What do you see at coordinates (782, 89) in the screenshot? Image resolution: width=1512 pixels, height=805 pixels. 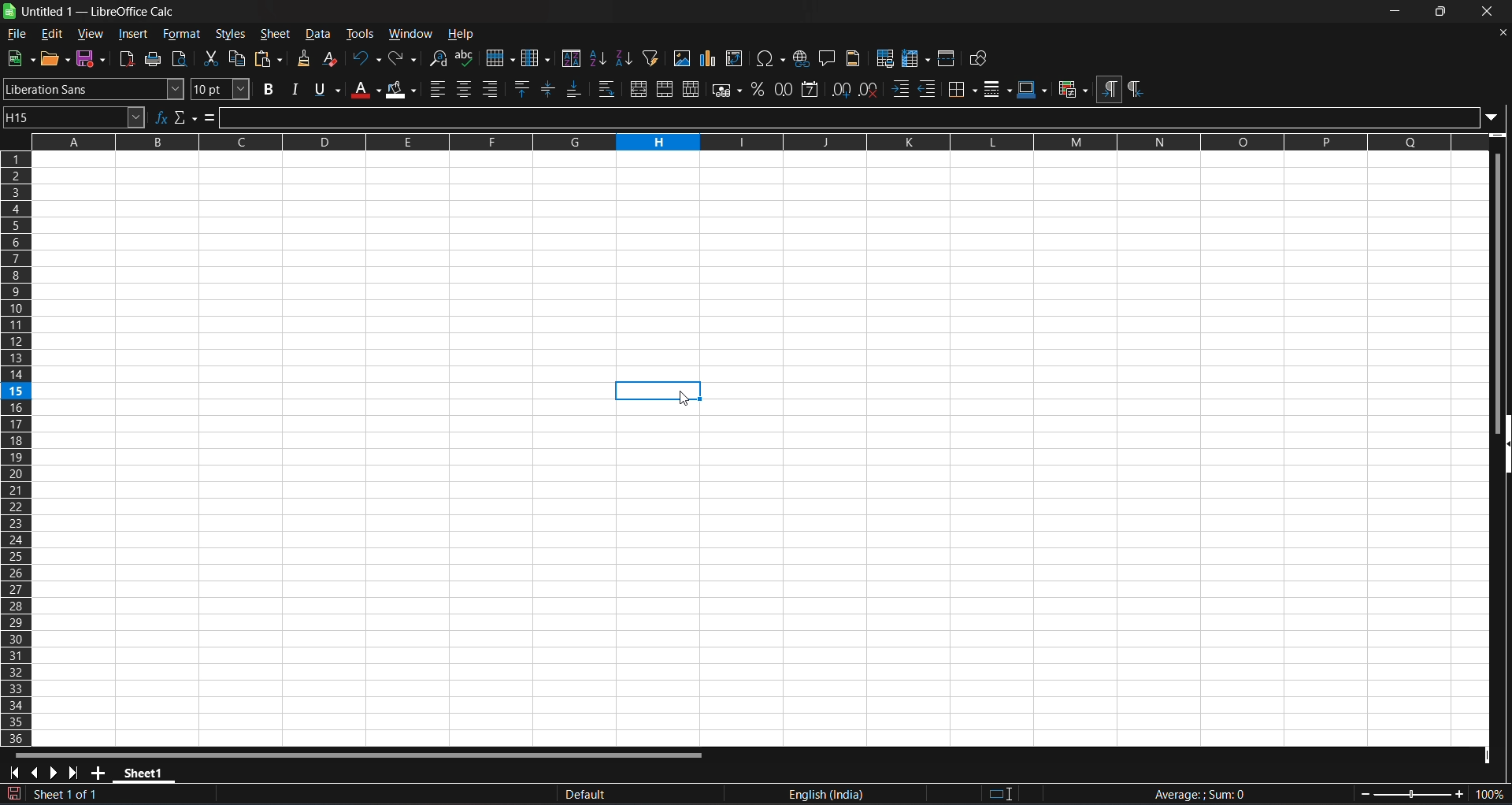 I see `format as number` at bounding box center [782, 89].